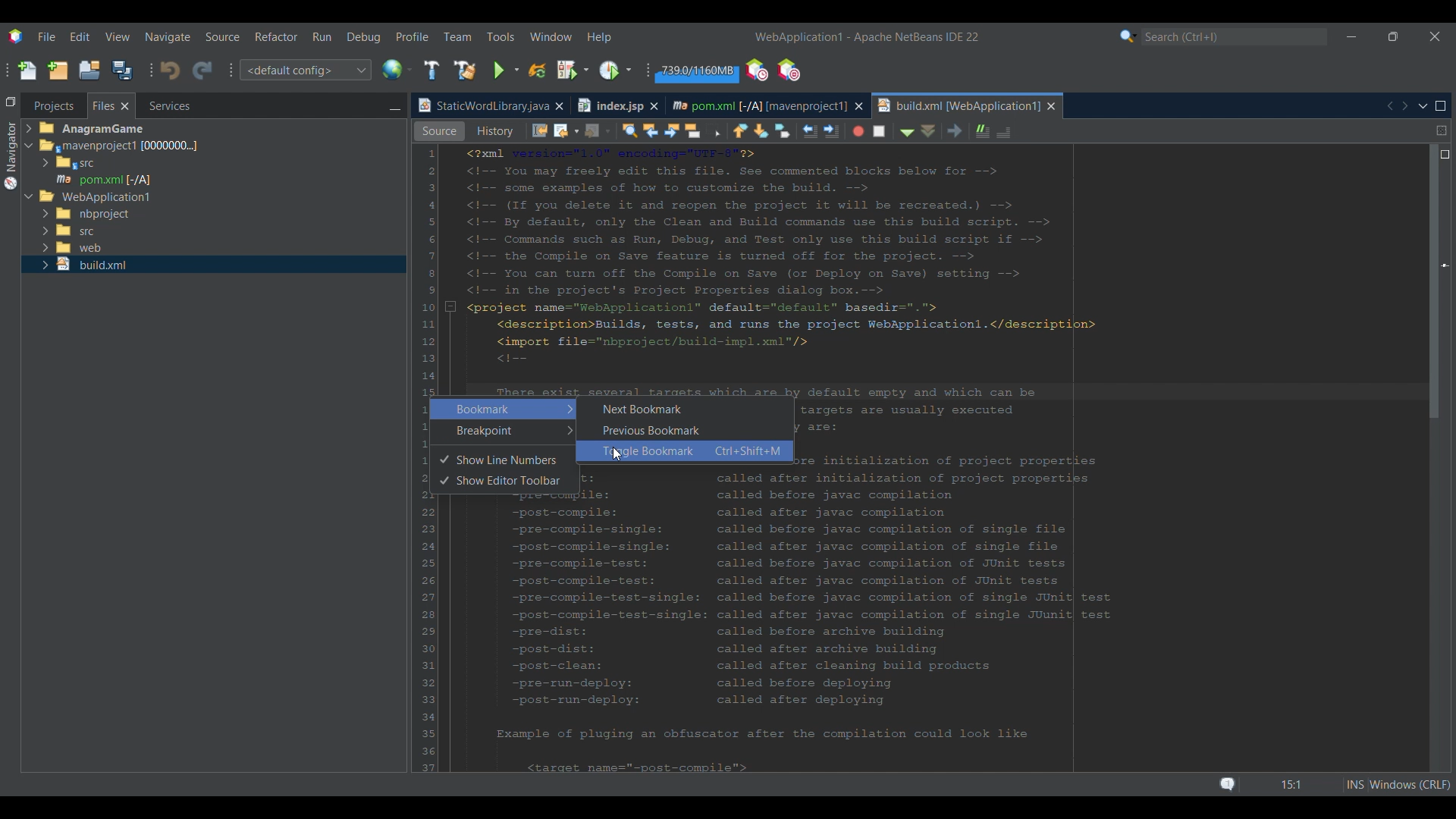  What do you see at coordinates (413, 36) in the screenshot?
I see `Profile menu` at bounding box center [413, 36].